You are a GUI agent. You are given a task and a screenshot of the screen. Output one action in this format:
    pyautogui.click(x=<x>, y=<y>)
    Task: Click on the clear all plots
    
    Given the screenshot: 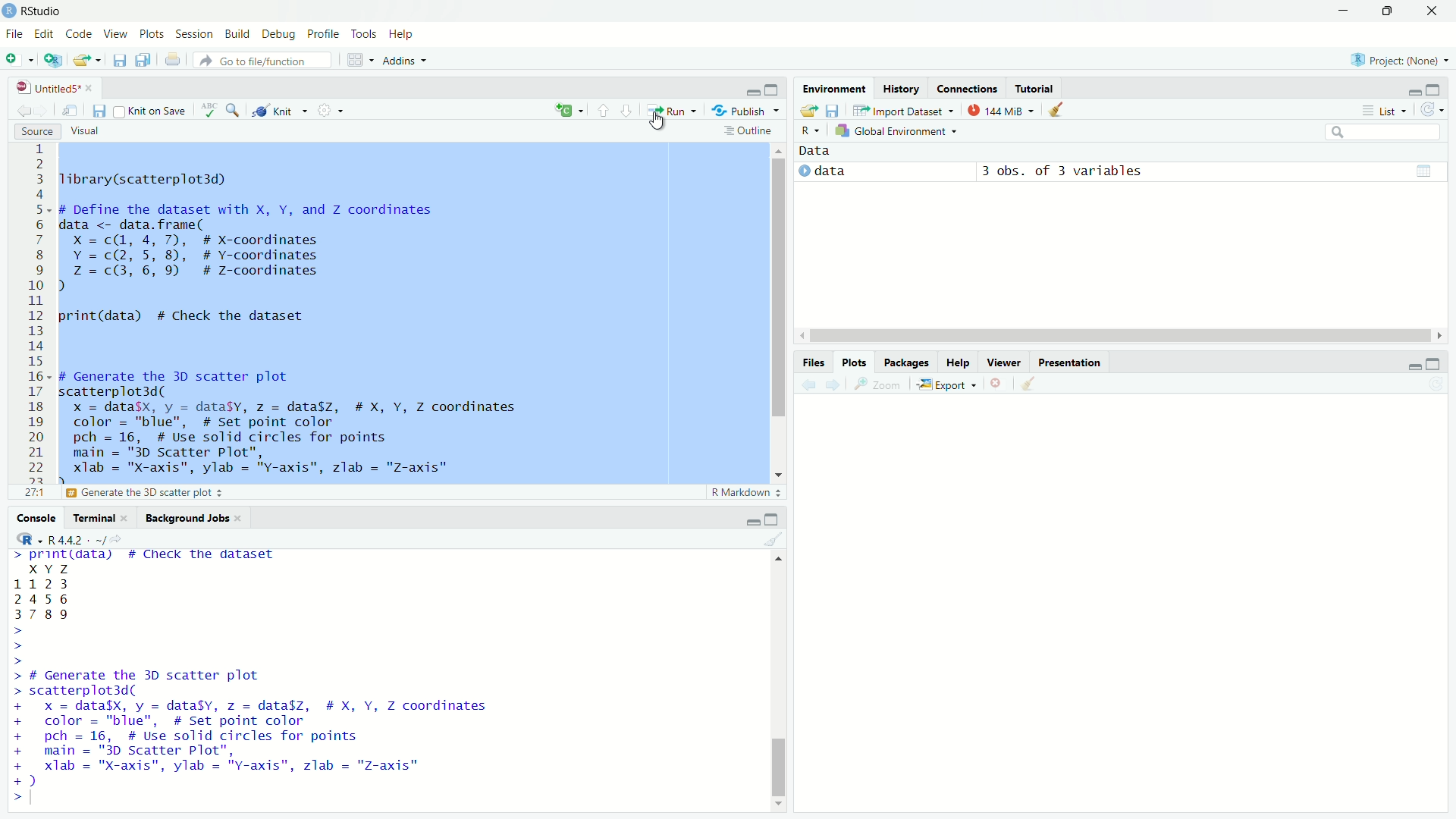 What is the action you would take?
    pyautogui.click(x=1028, y=384)
    